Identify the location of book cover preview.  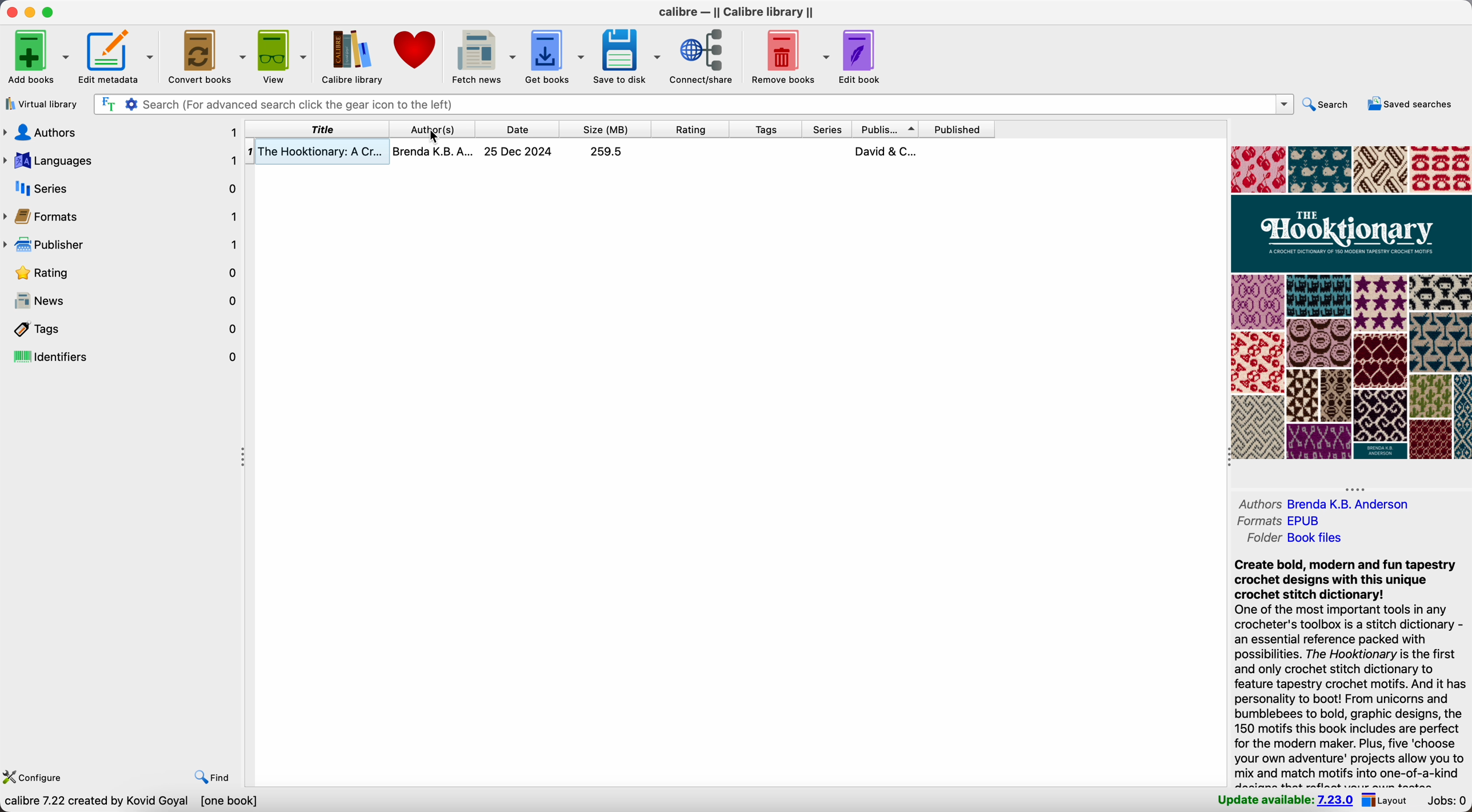
(1351, 303).